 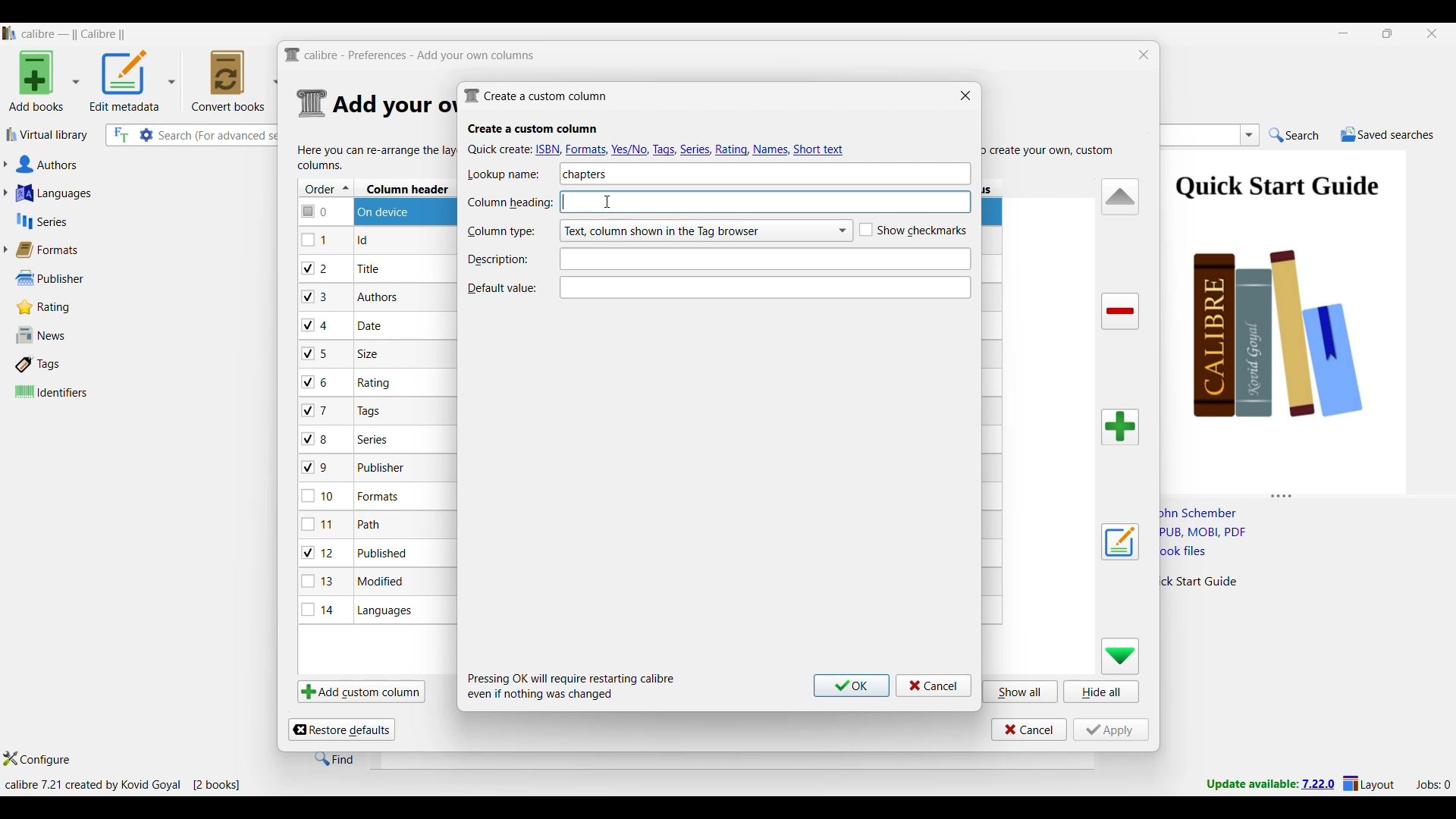 I want to click on Text, so click(x=762, y=259).